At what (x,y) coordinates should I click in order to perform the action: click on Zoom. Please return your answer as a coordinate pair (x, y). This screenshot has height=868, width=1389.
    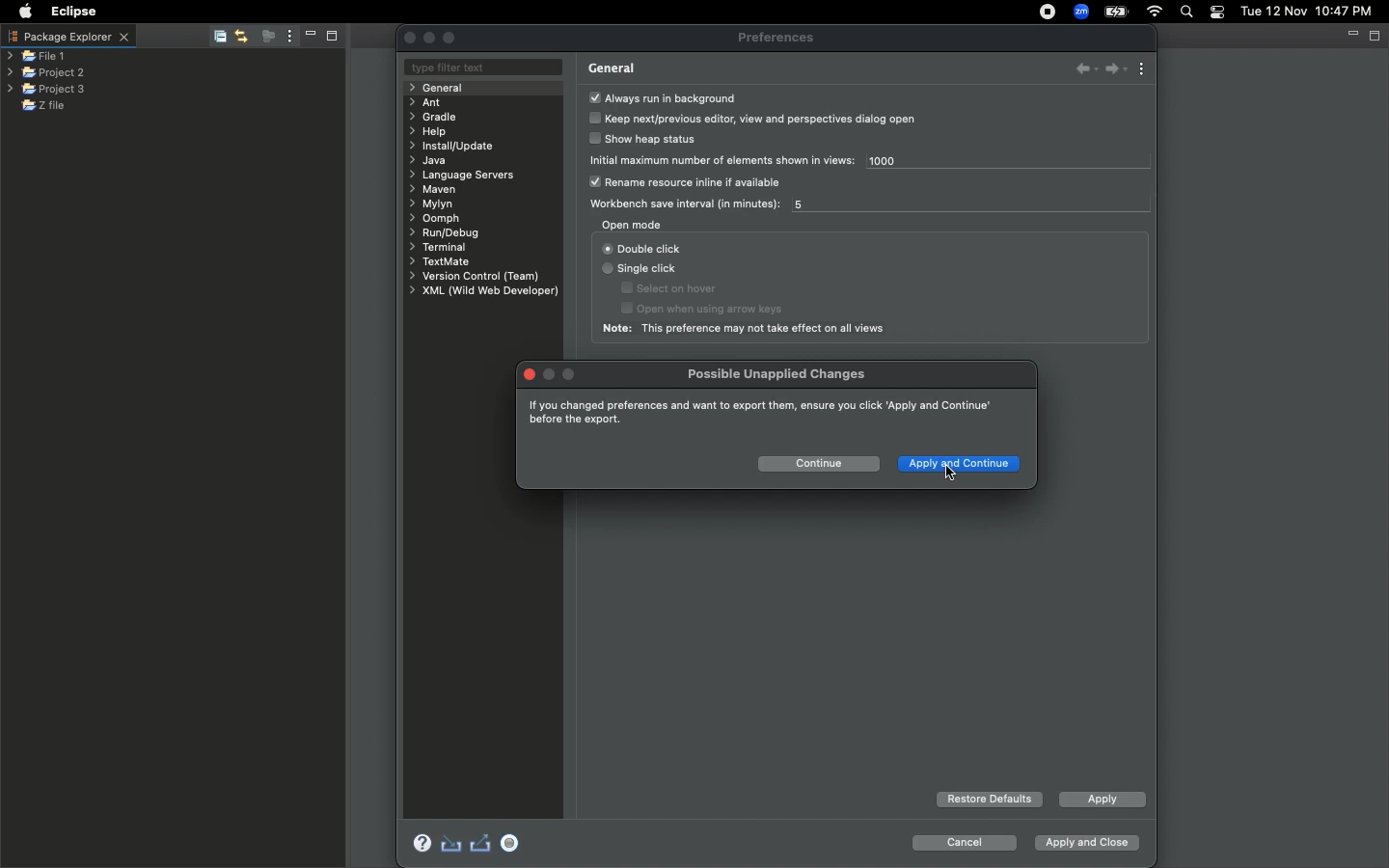
    Looking at the image, I should click on (1080, 12).